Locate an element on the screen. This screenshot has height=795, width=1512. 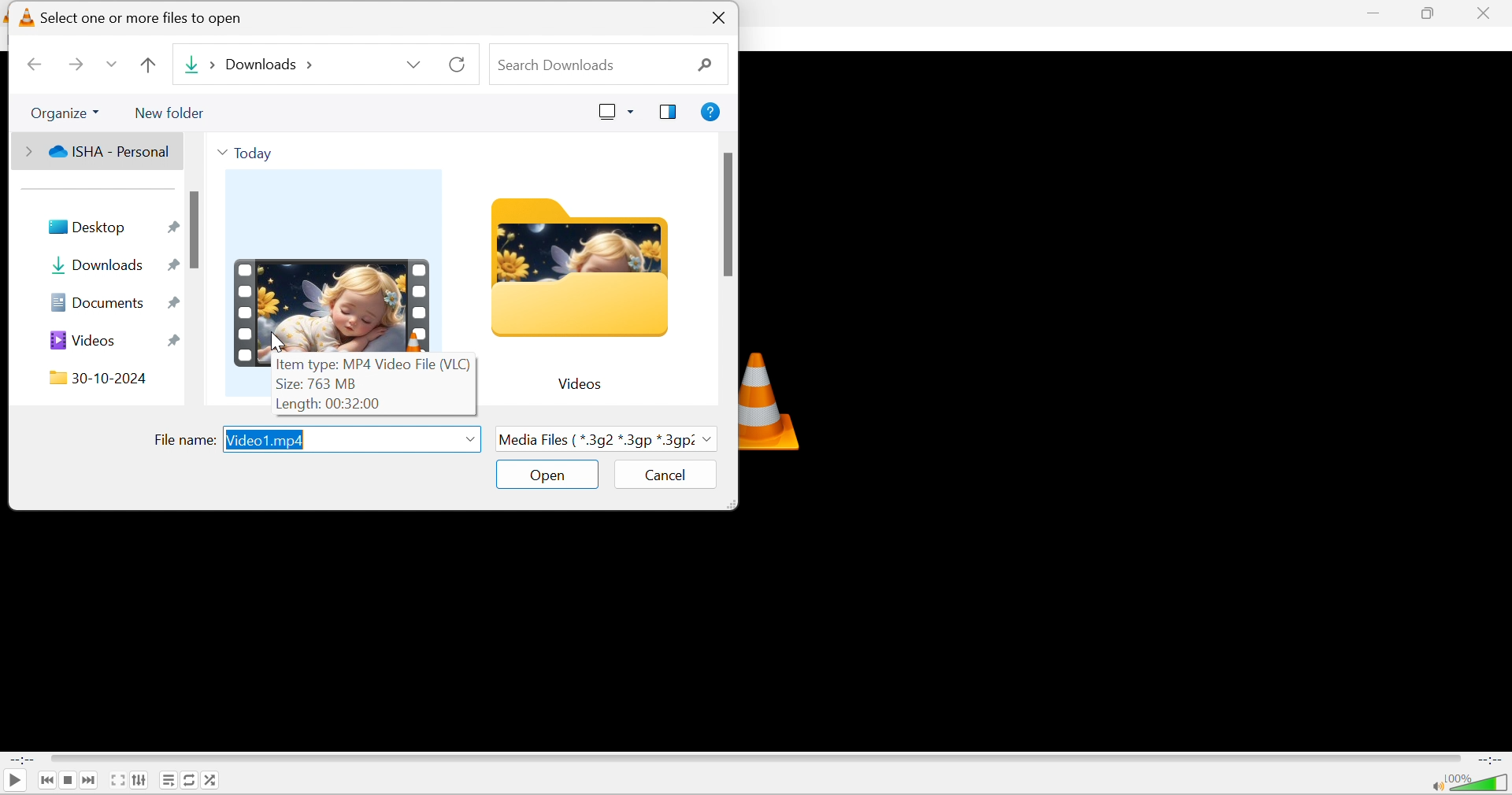
Volume is located at coordinates (1480, 783).